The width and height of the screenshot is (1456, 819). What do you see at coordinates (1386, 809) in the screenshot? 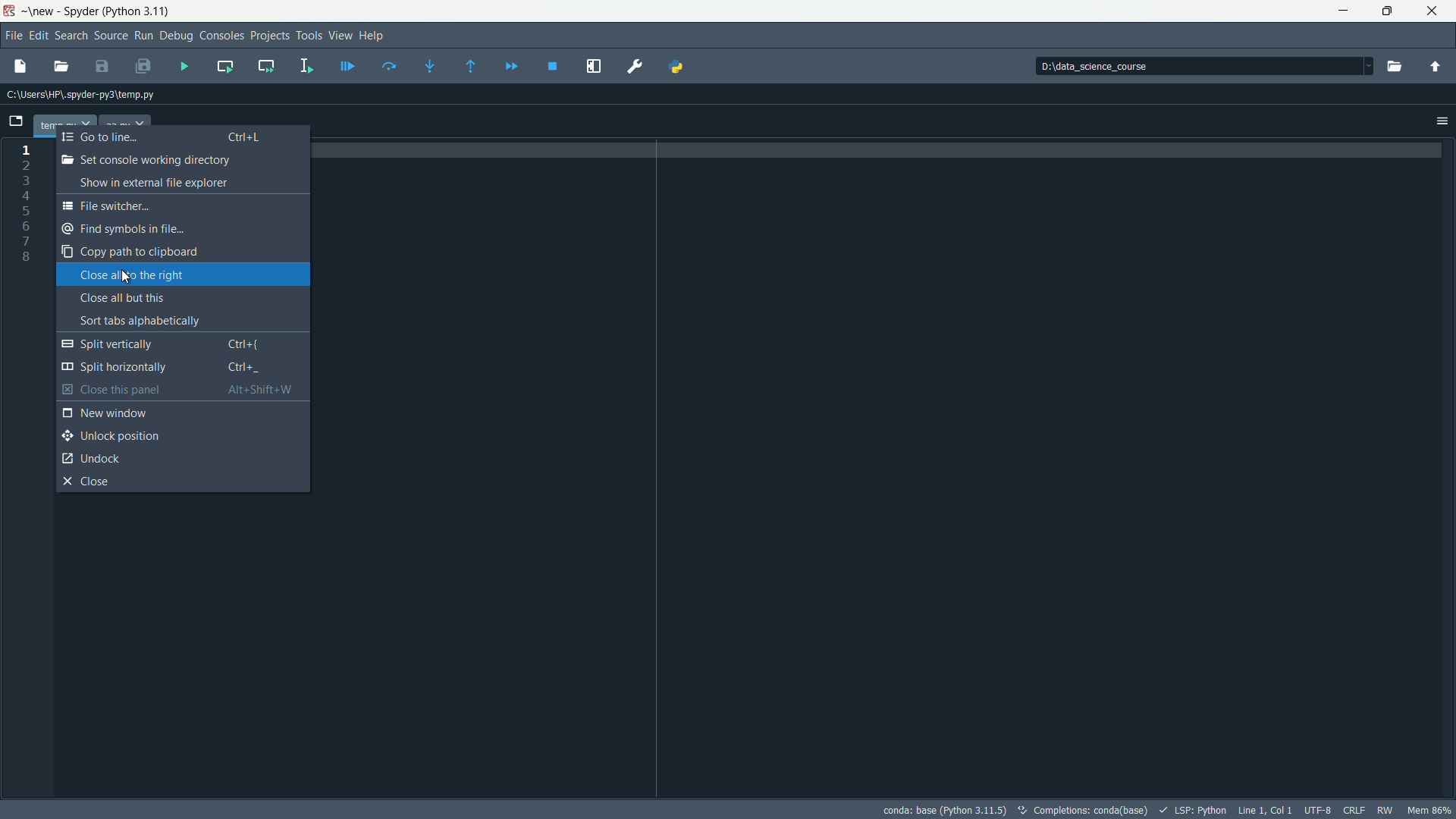
I see `rw` at bounding box center [1386, 809].